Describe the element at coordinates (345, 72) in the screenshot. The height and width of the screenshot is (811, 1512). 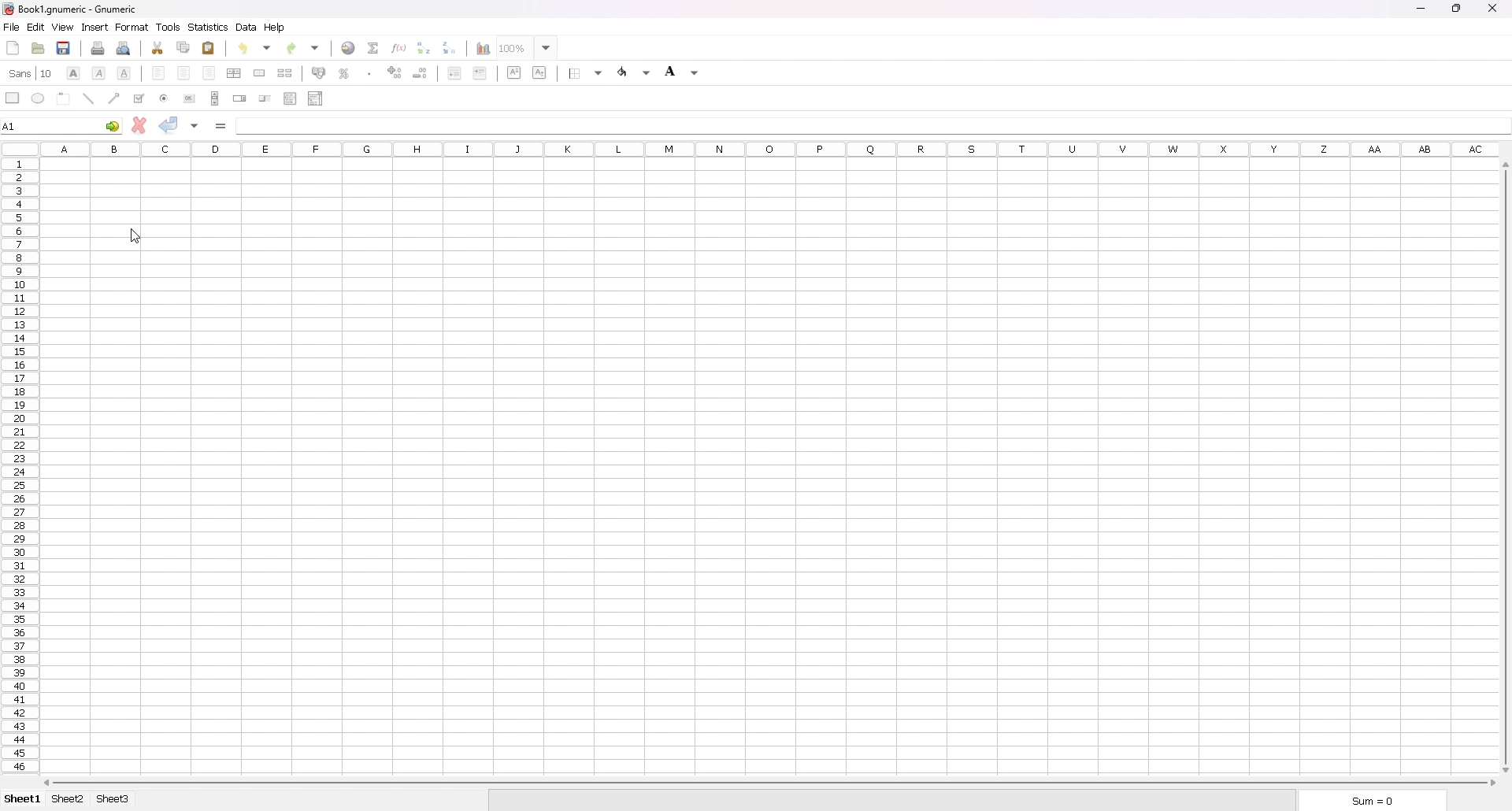
I see `percentage` at that location.